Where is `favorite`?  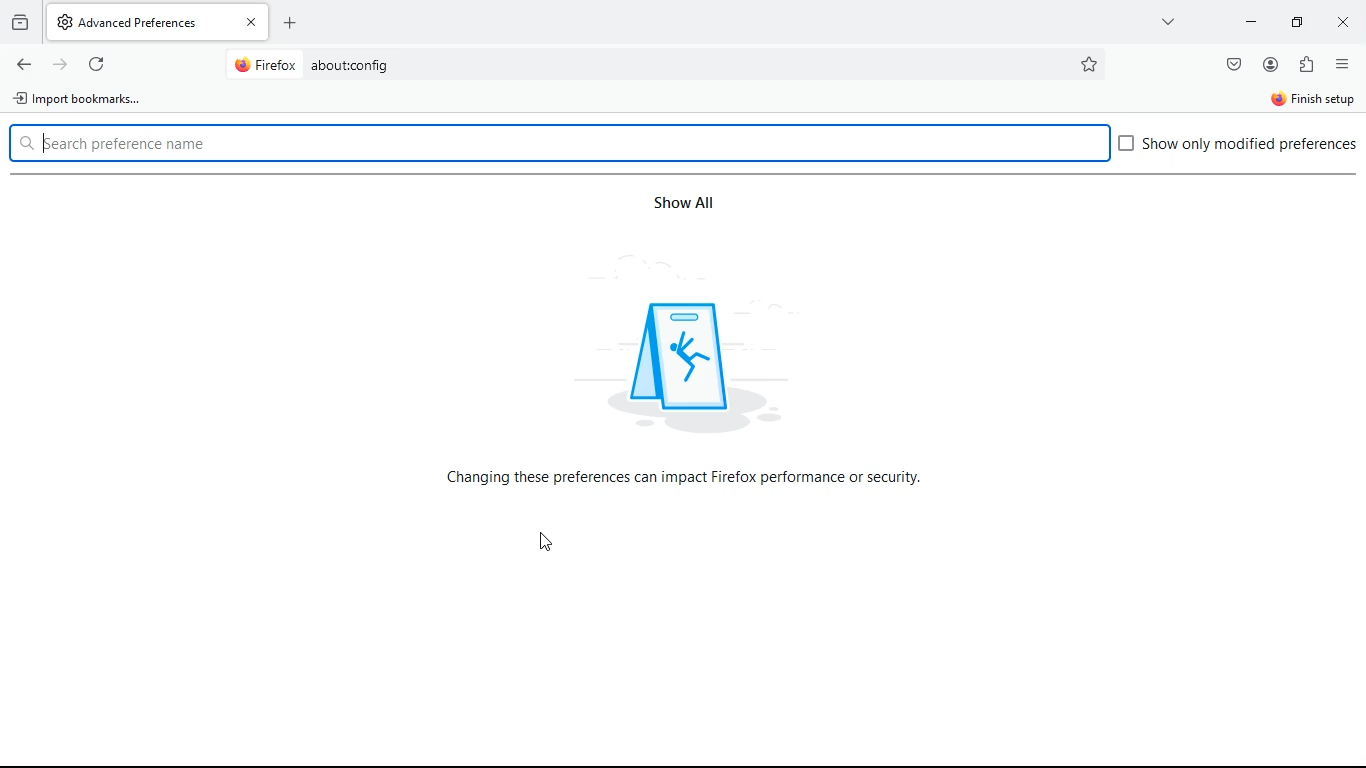
favorite is located at coordinates (1089, 64).